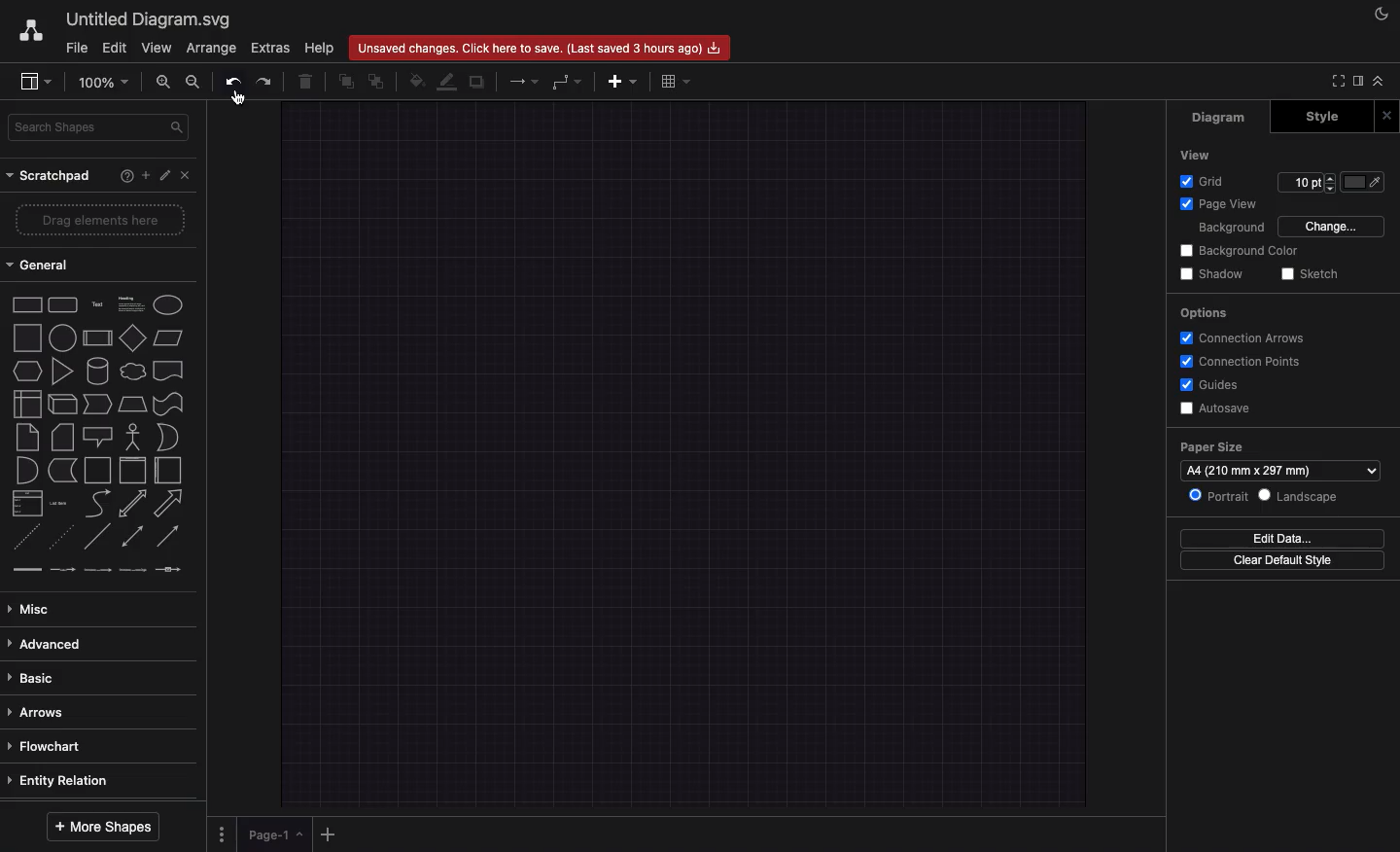  Describe the element at coordinates (1220, 496) in the screenshot. I see `Portrait` at that location.